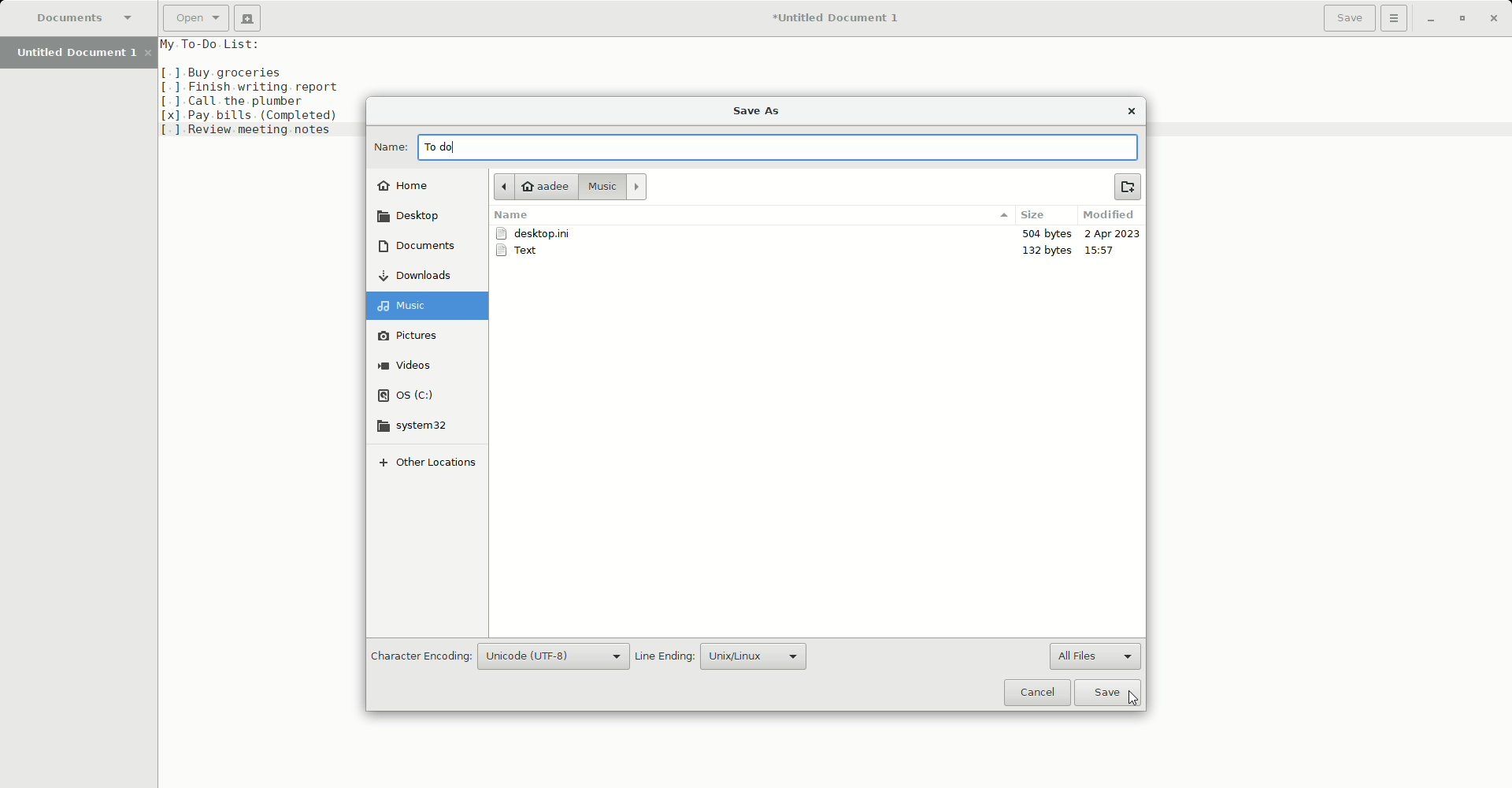 The height and width of the screenshot is (788, 1512). What do you see at coordinates (533, 186) in the screenshot?
I see `aadee` at bounding box center [533, 186].